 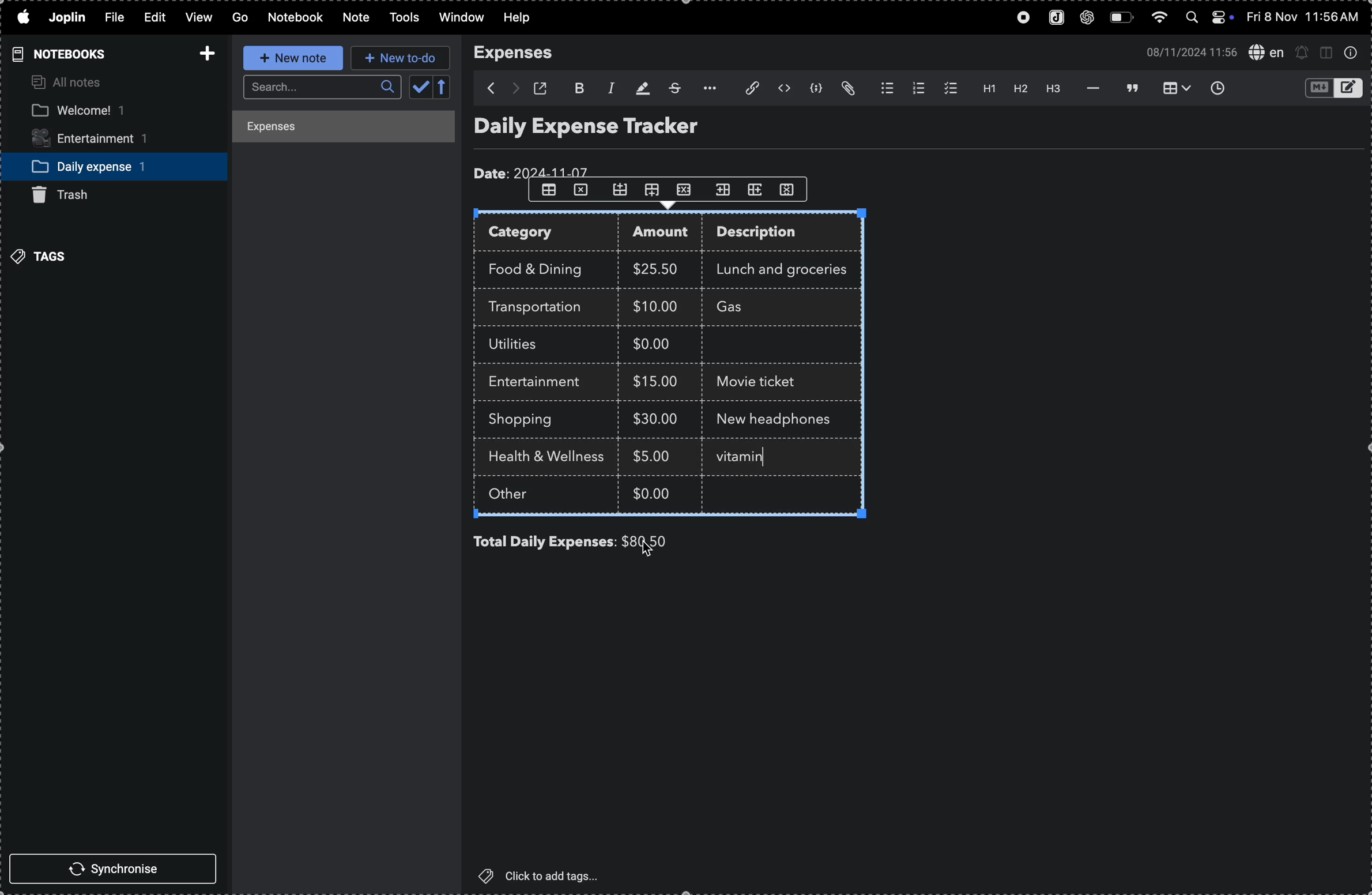 I want to click on shift coloumn to right, so click(x=723, y=189).